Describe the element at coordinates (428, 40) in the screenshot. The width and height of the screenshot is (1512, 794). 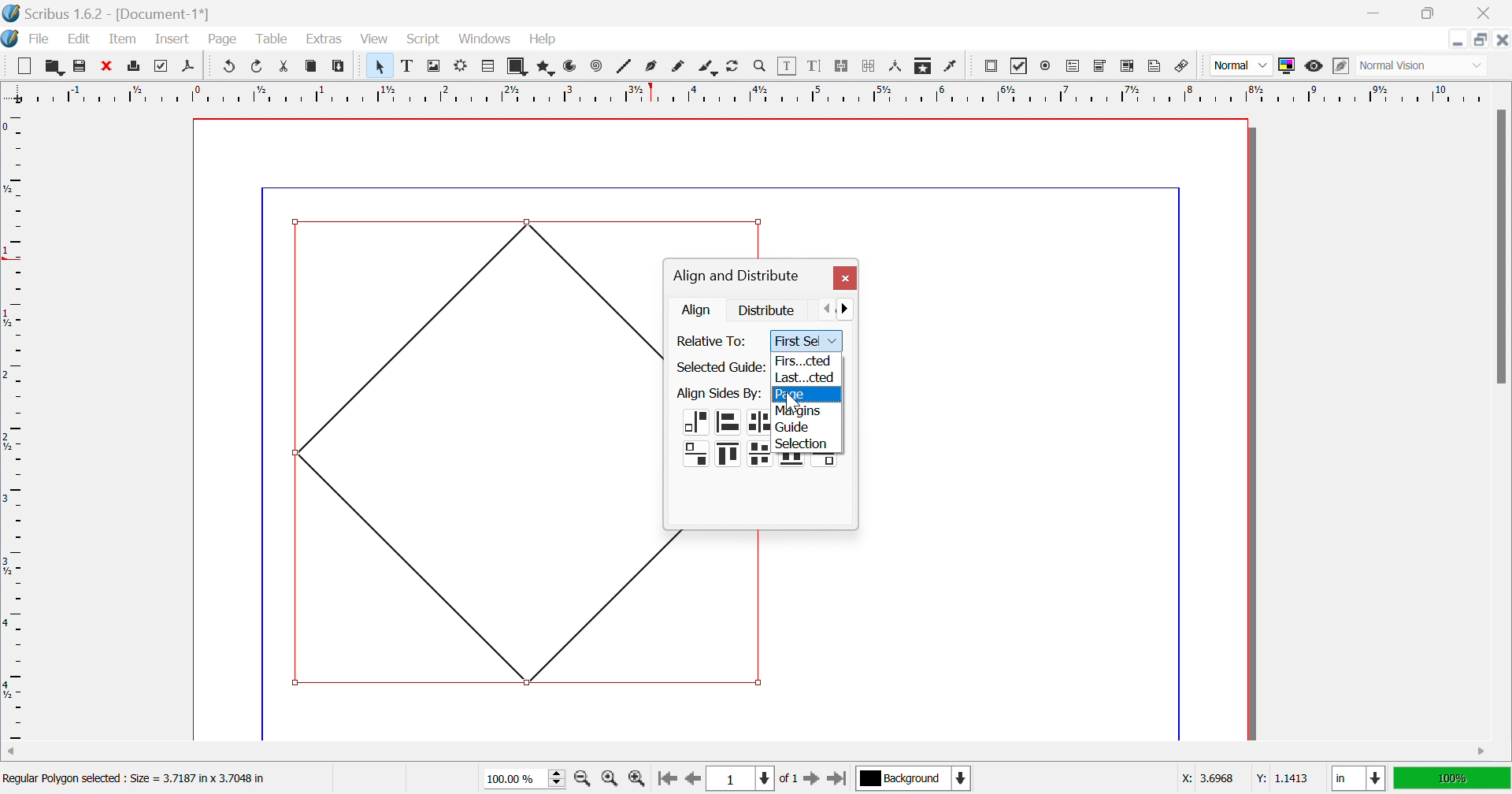
I see `Script` at that location.